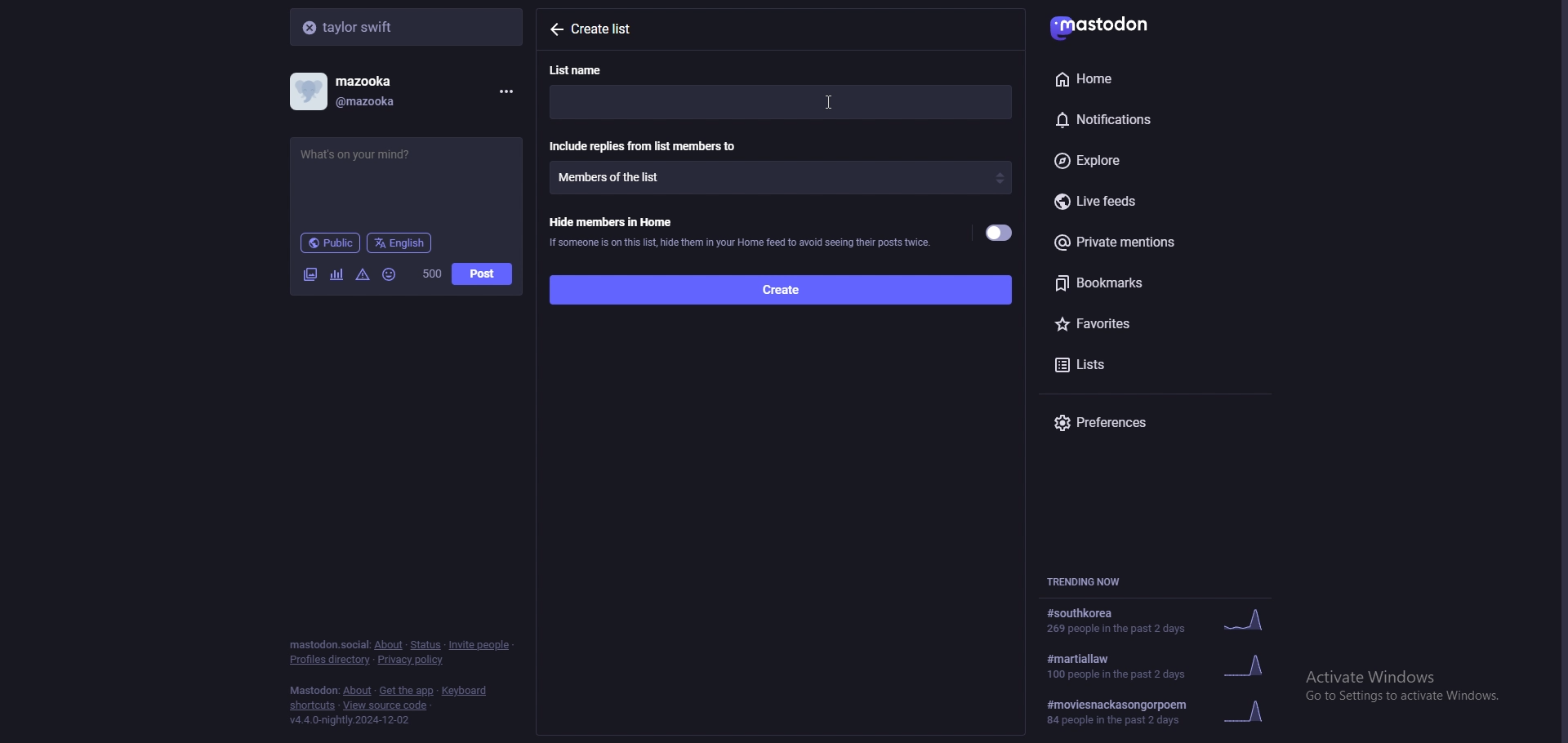 This screenshot has width=1568, height=743. I want to click on hide members in home, so click(739, 230).